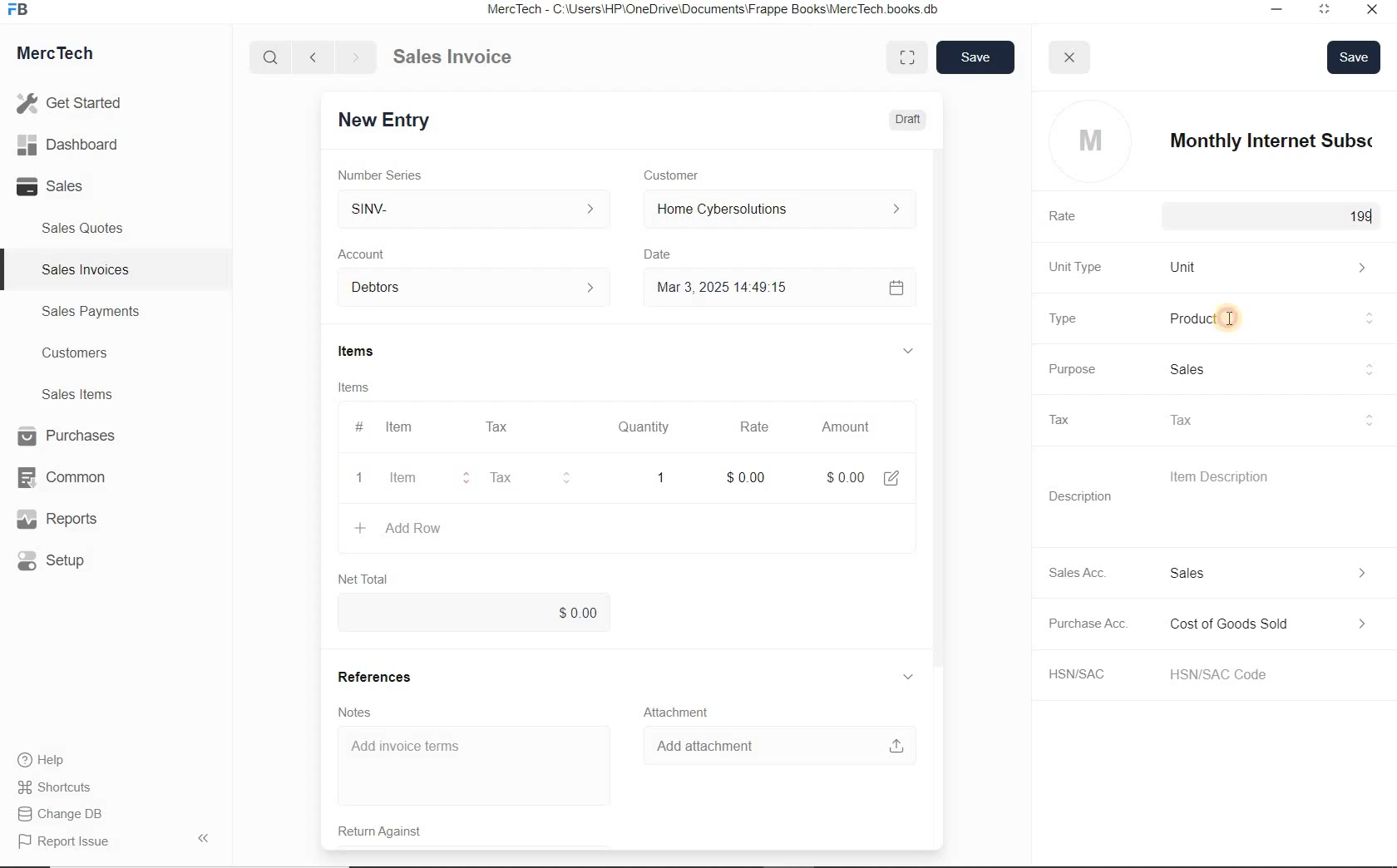 This screenshot has width=1397, height=868. I want to click on Go forward, so click(355, 57).